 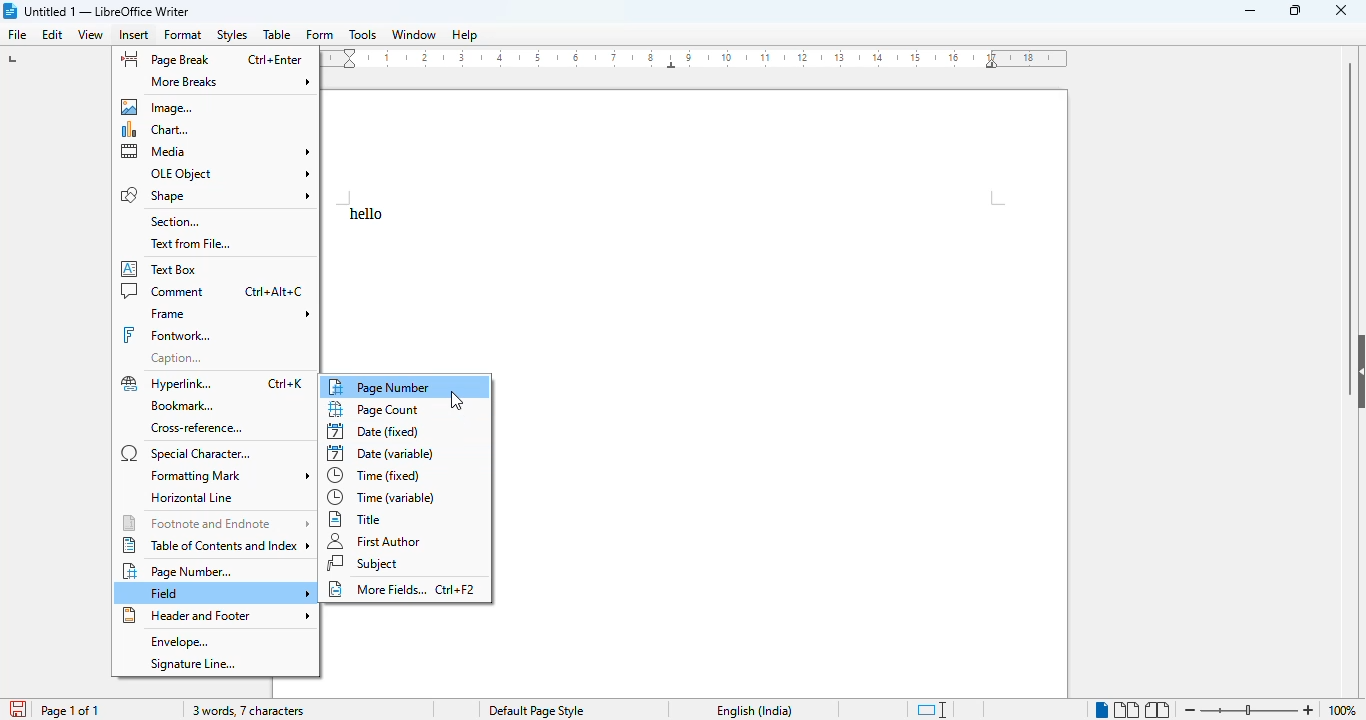 I want to click on page 1 of 1, so click(x=70, y=711).